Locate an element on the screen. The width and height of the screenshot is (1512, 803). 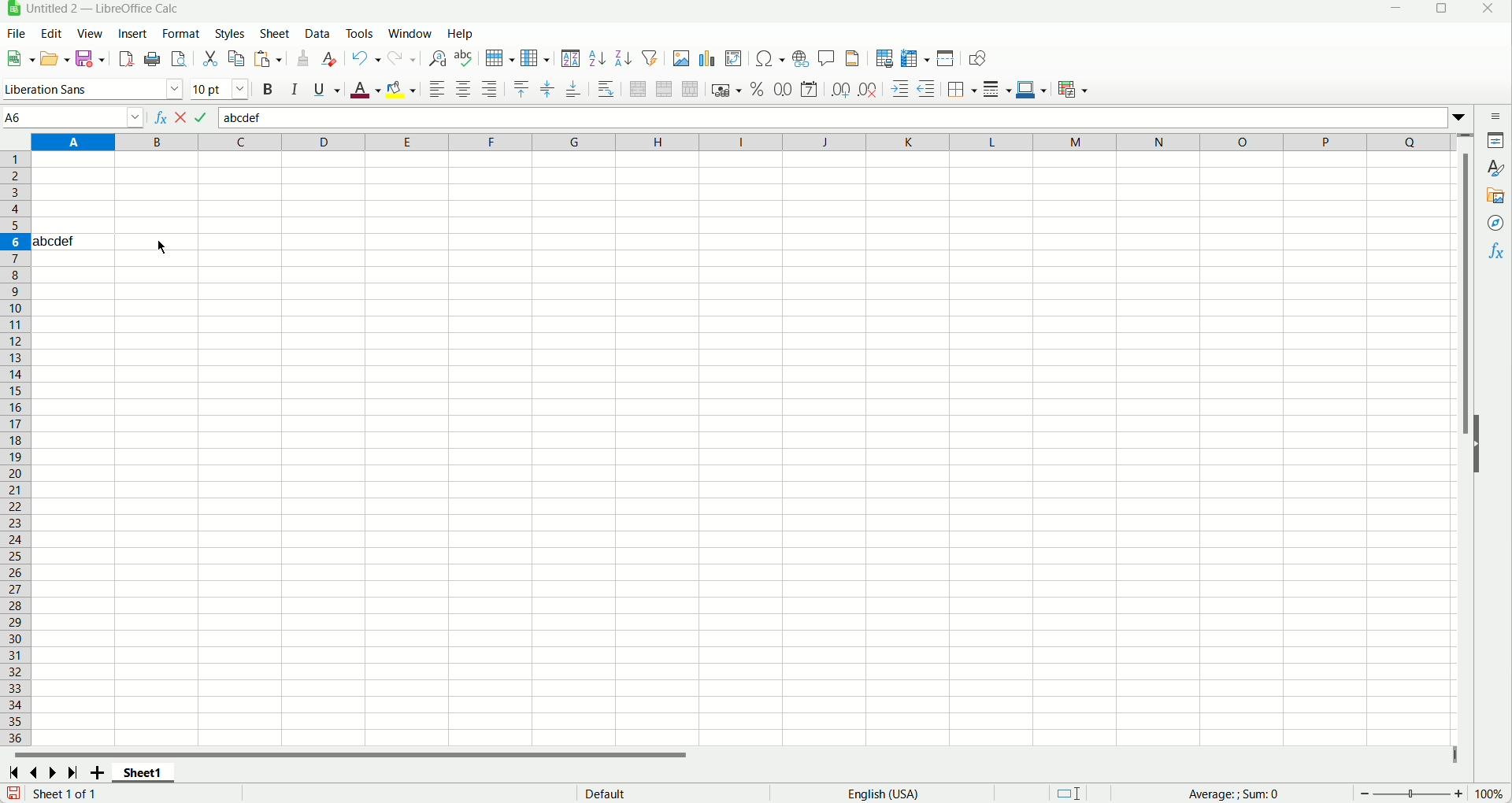
format as percent is located at coordinates (758, 88).